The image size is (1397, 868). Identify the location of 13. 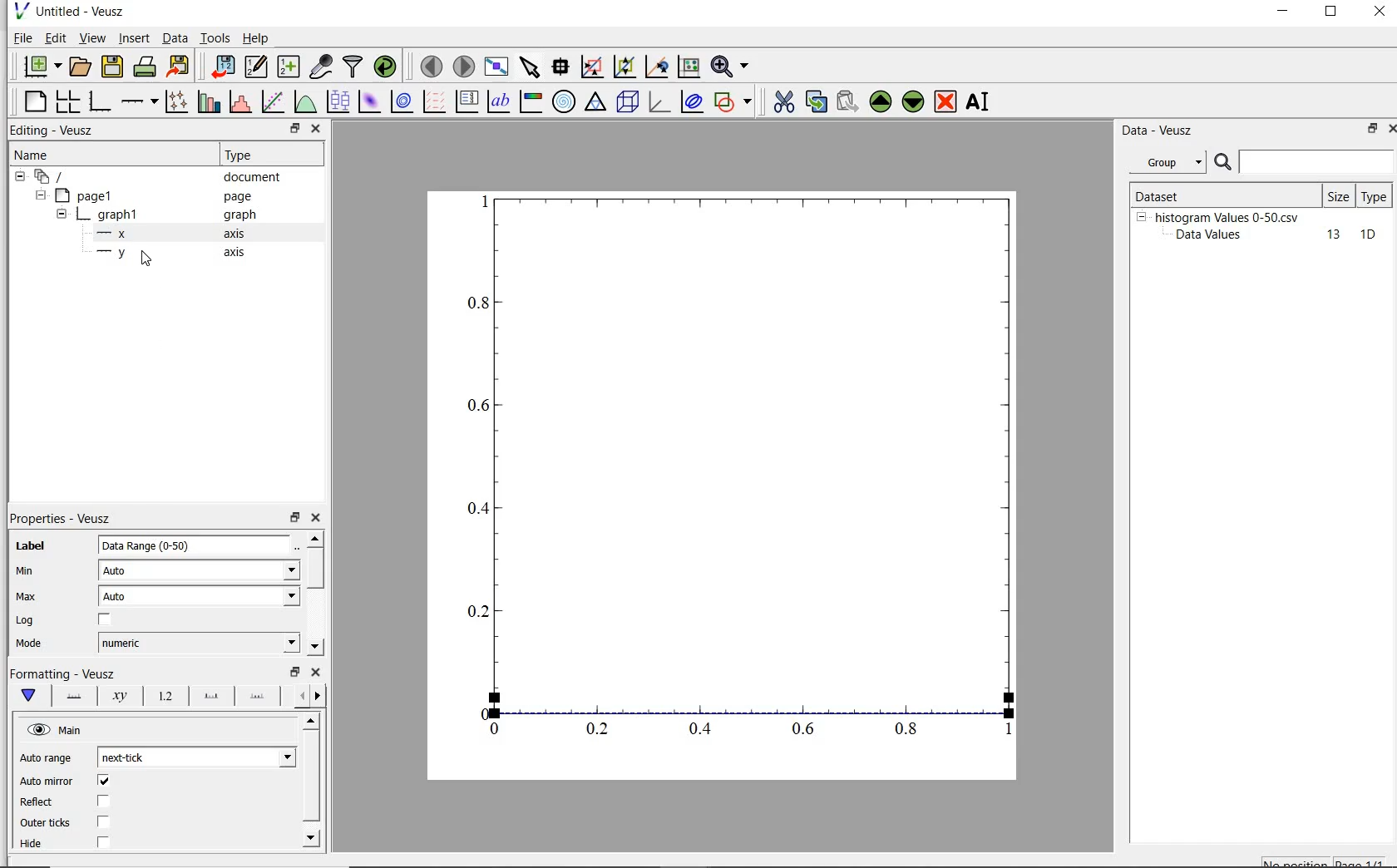
(1326, 235).